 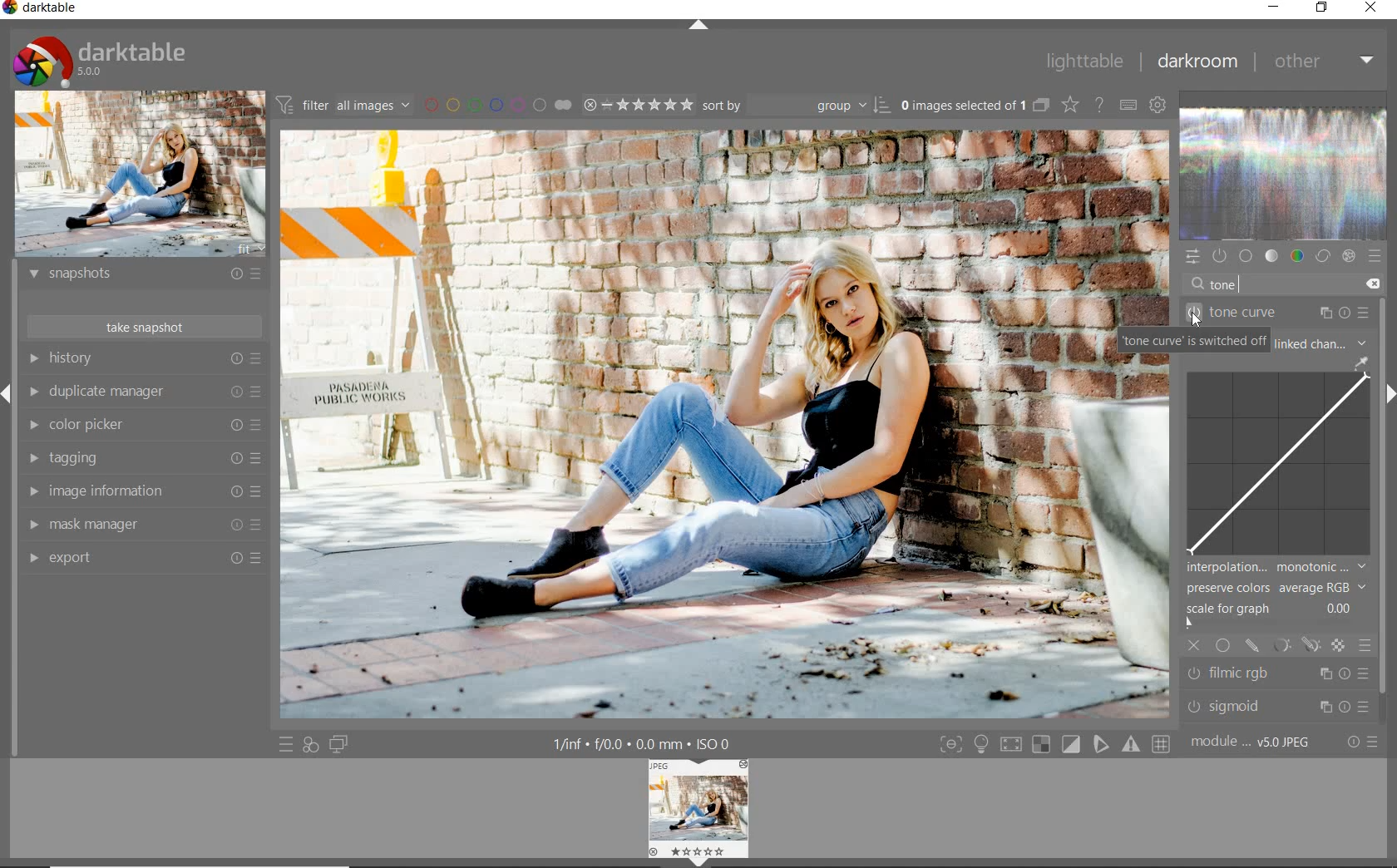 I want to click on cursor, so click(x=1195, y=321).